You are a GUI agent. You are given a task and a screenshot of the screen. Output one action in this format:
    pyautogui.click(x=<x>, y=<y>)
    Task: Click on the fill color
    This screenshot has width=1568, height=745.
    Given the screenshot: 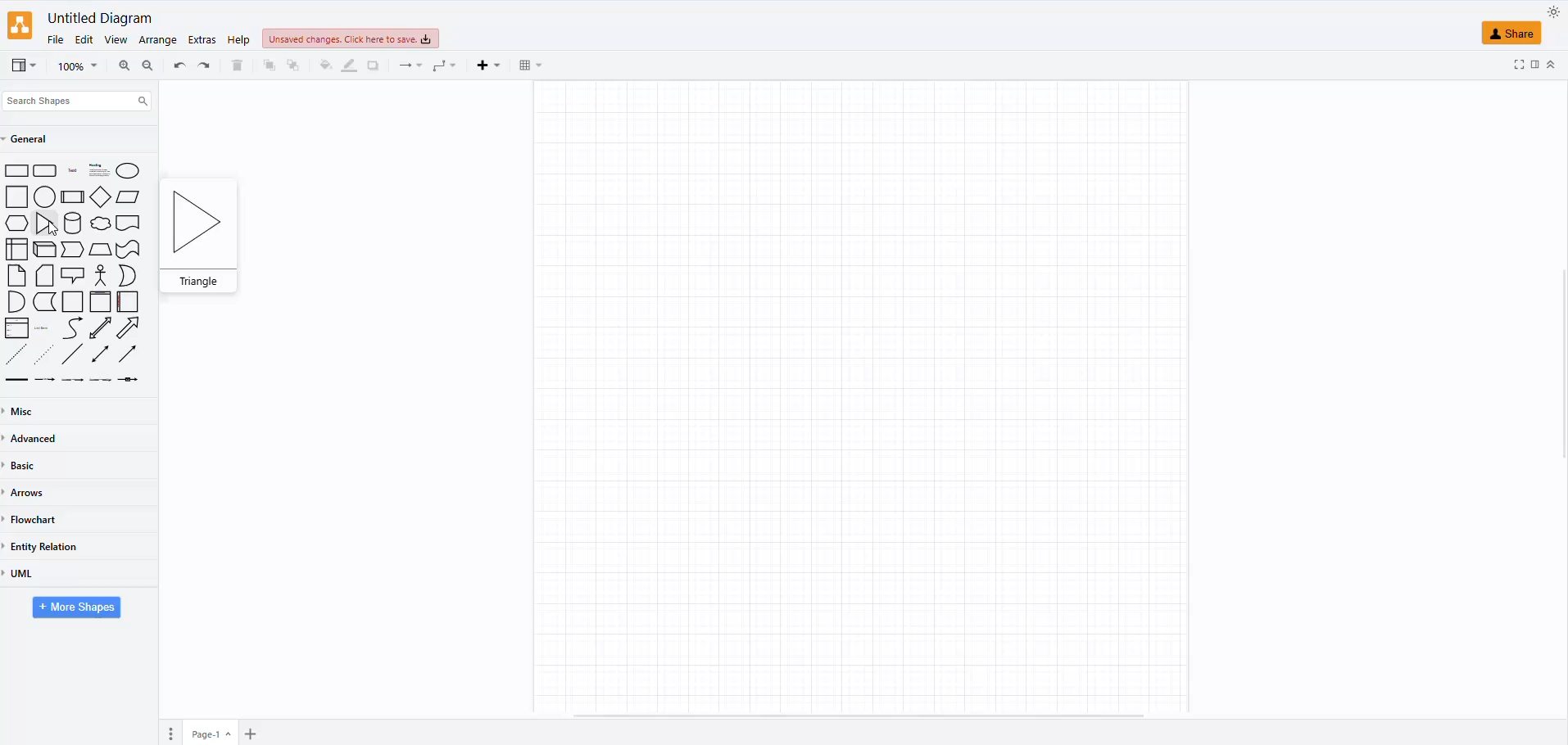 What is the action you would take?
    pyautogui.click(x=324, y=63)
    